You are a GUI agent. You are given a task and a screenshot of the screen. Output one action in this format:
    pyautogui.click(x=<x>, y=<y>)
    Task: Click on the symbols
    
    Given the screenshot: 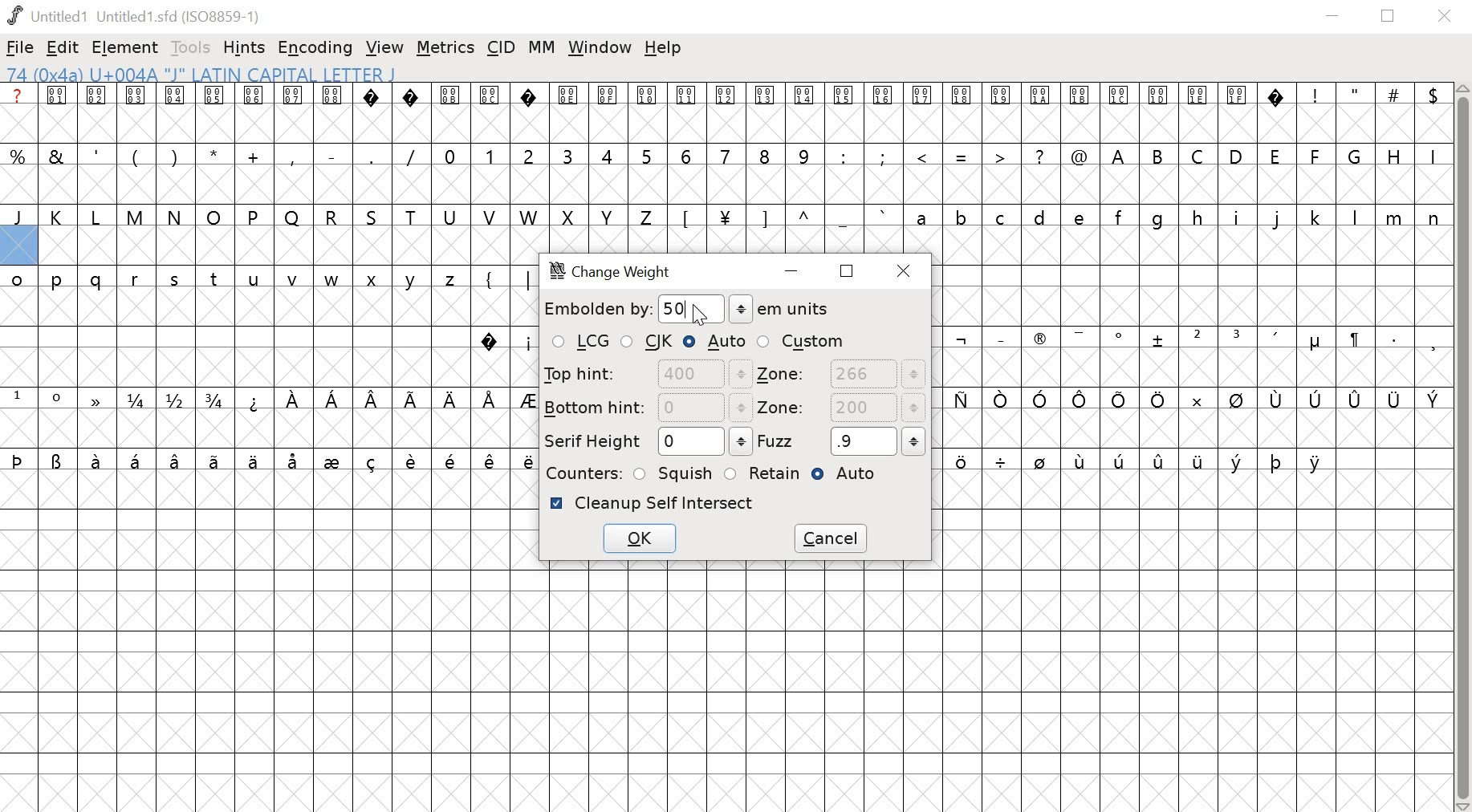 What is the action you would take?
    pyautogui.click(x=504, y=341)
    